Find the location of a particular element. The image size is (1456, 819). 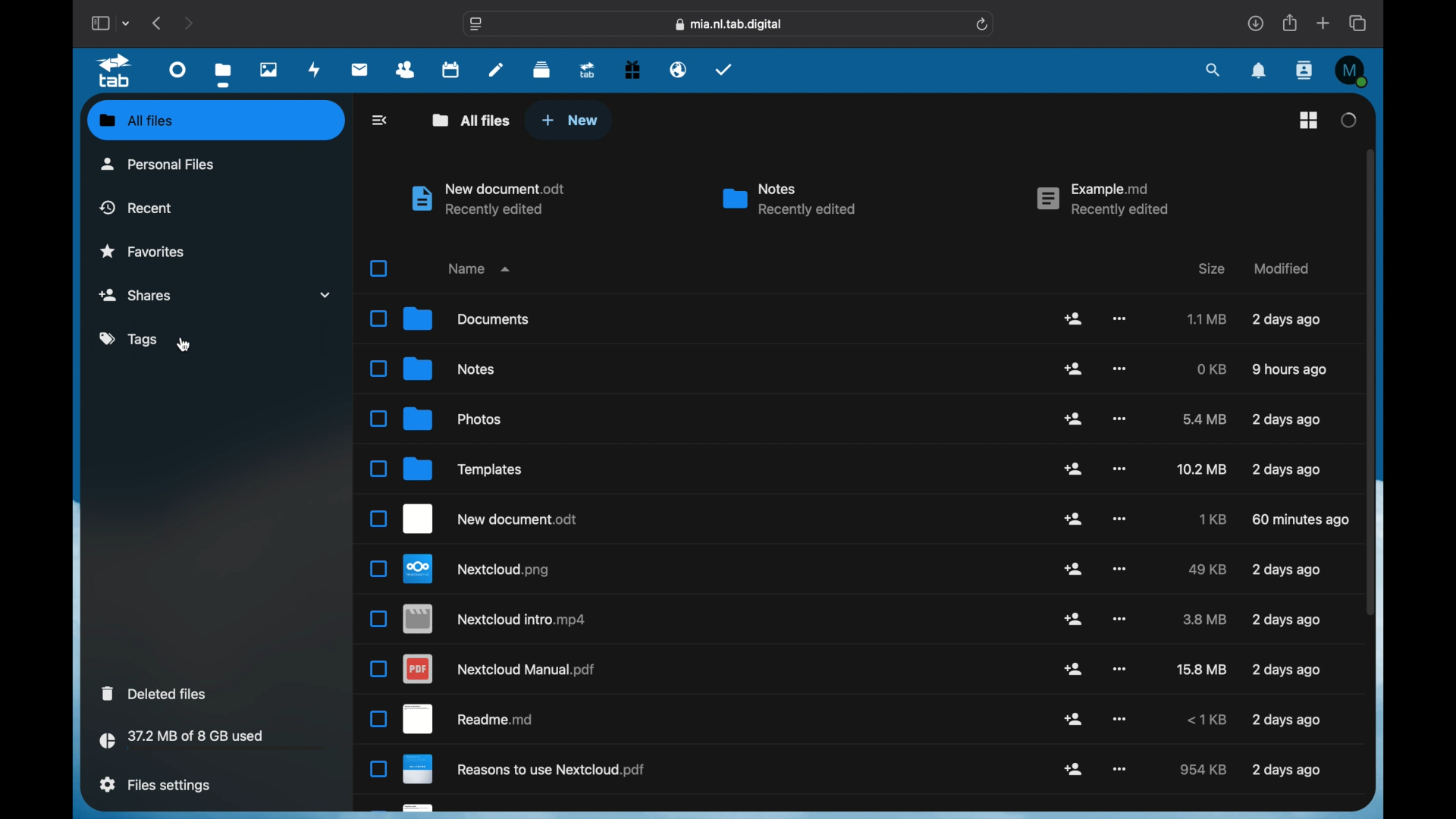

upgrade is located at coordinates (587, 70).